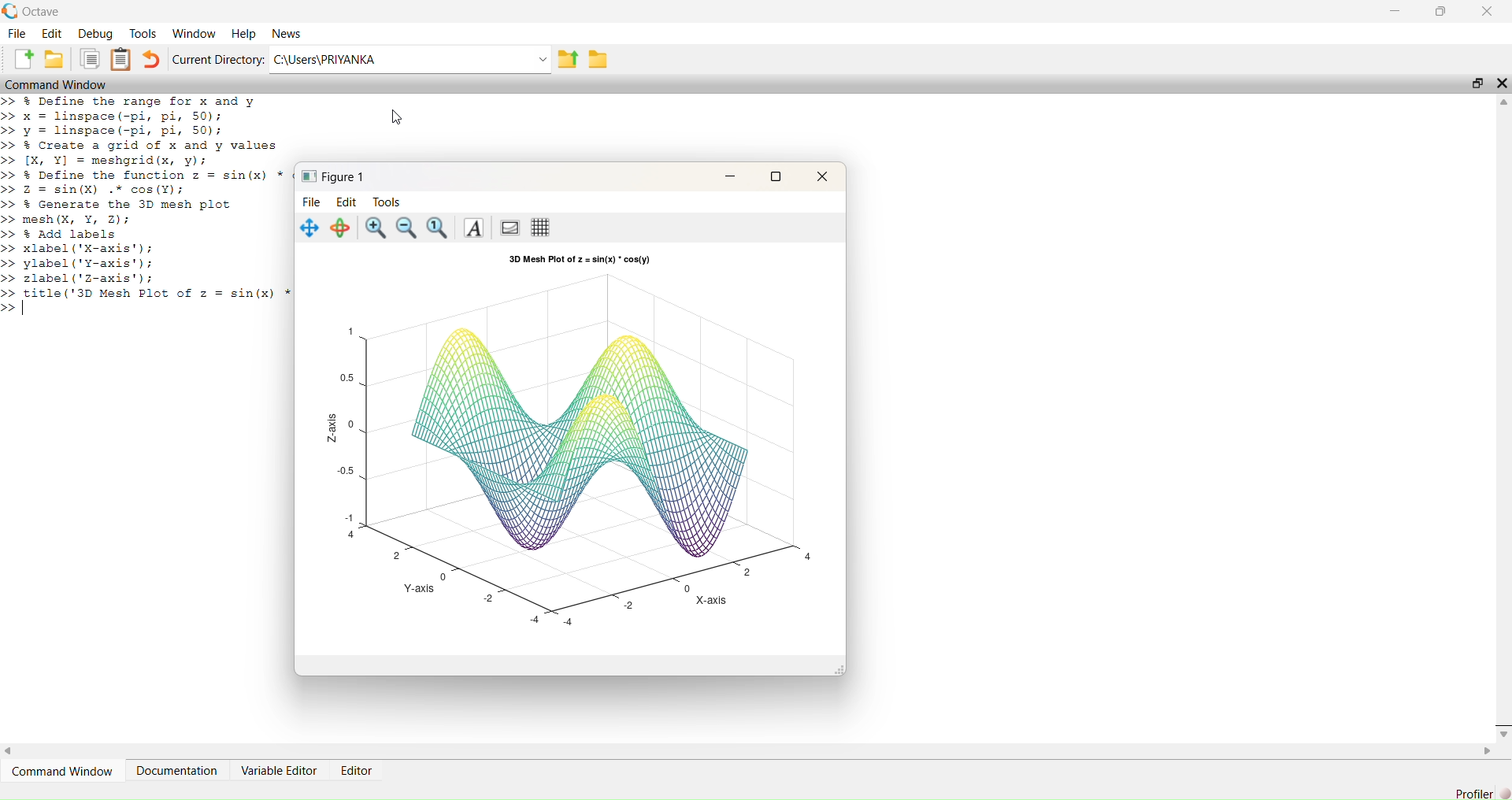 This screenshot has width=1512, height=800. What do you see at coordinates (341, 228) in the screenshot?
I see `Rotate` at bounding box center [341, 228].